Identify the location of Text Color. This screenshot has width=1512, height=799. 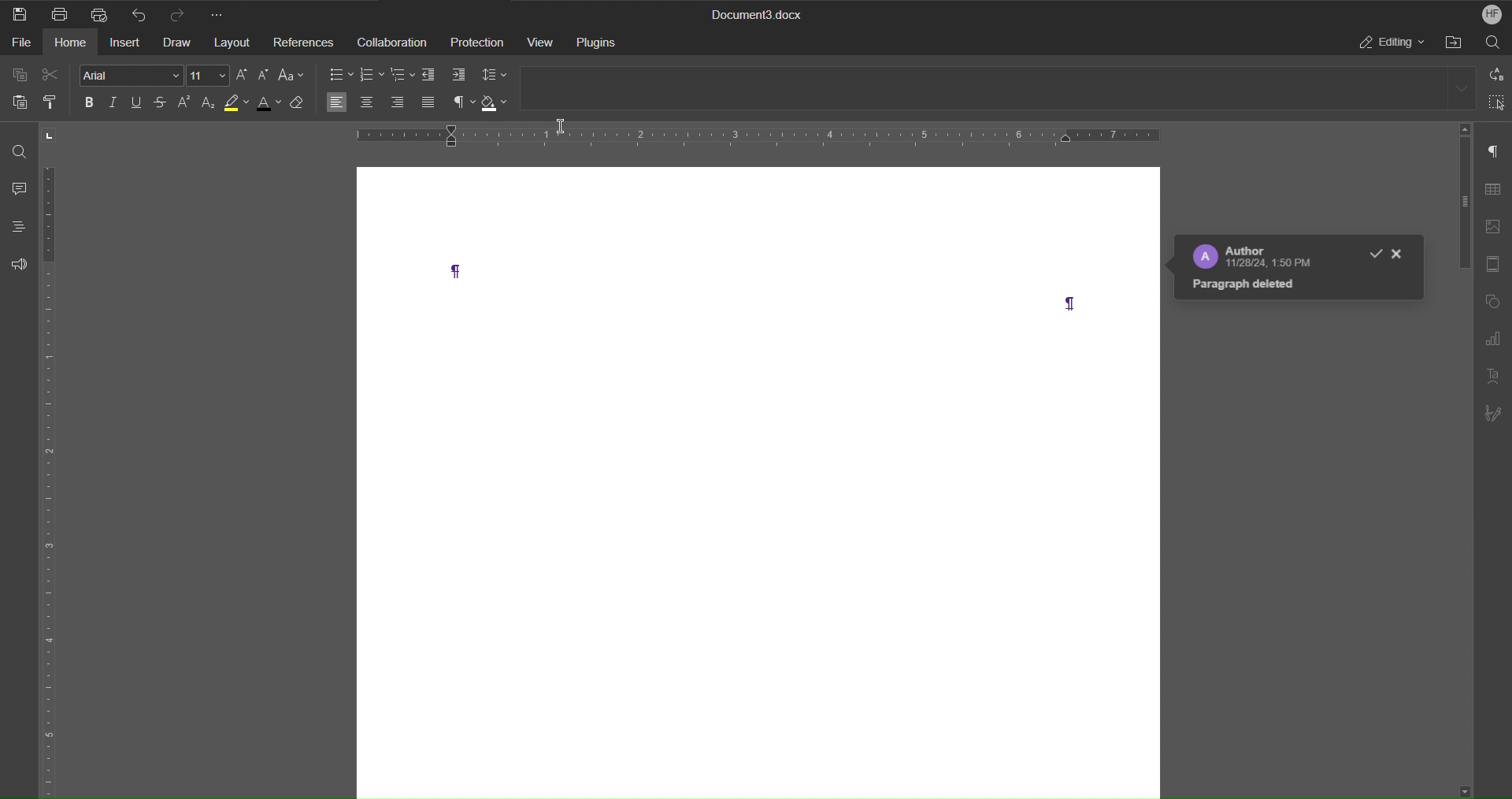
(267, 102).